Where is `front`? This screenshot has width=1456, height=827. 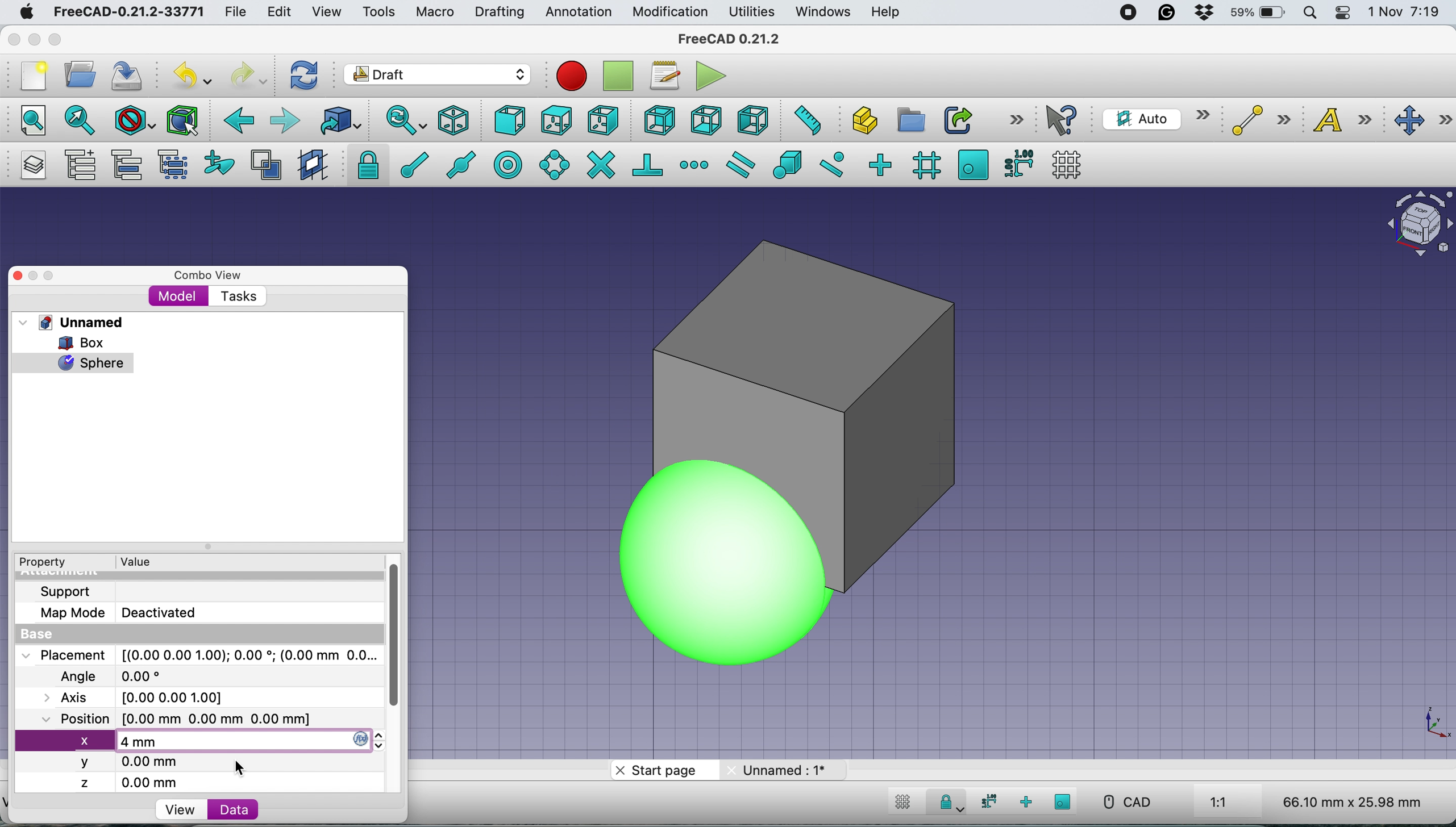
front is located at coordinates (511, 123).